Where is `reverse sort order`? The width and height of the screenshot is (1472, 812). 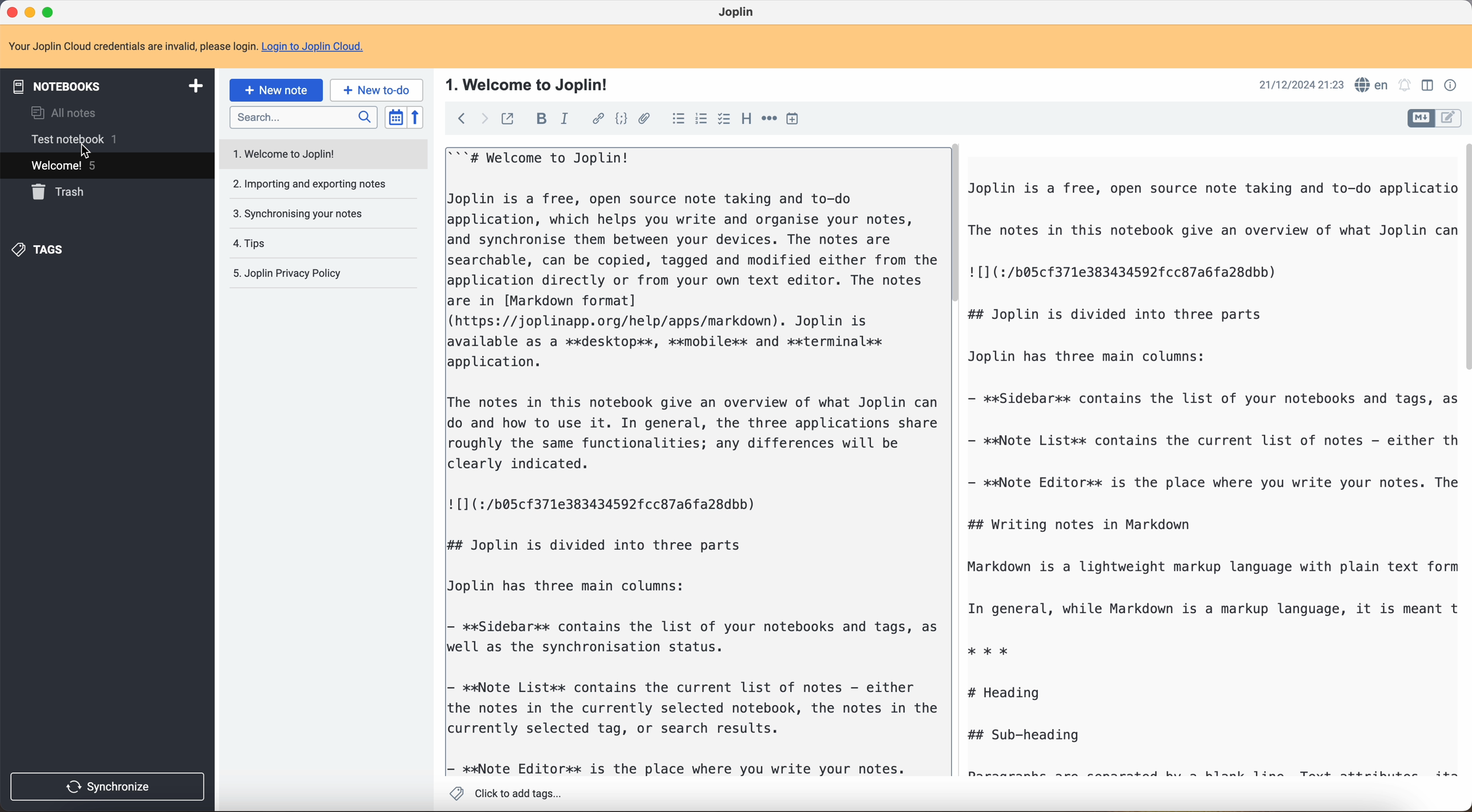
reverse sort order is located at coordinates (415, 118).